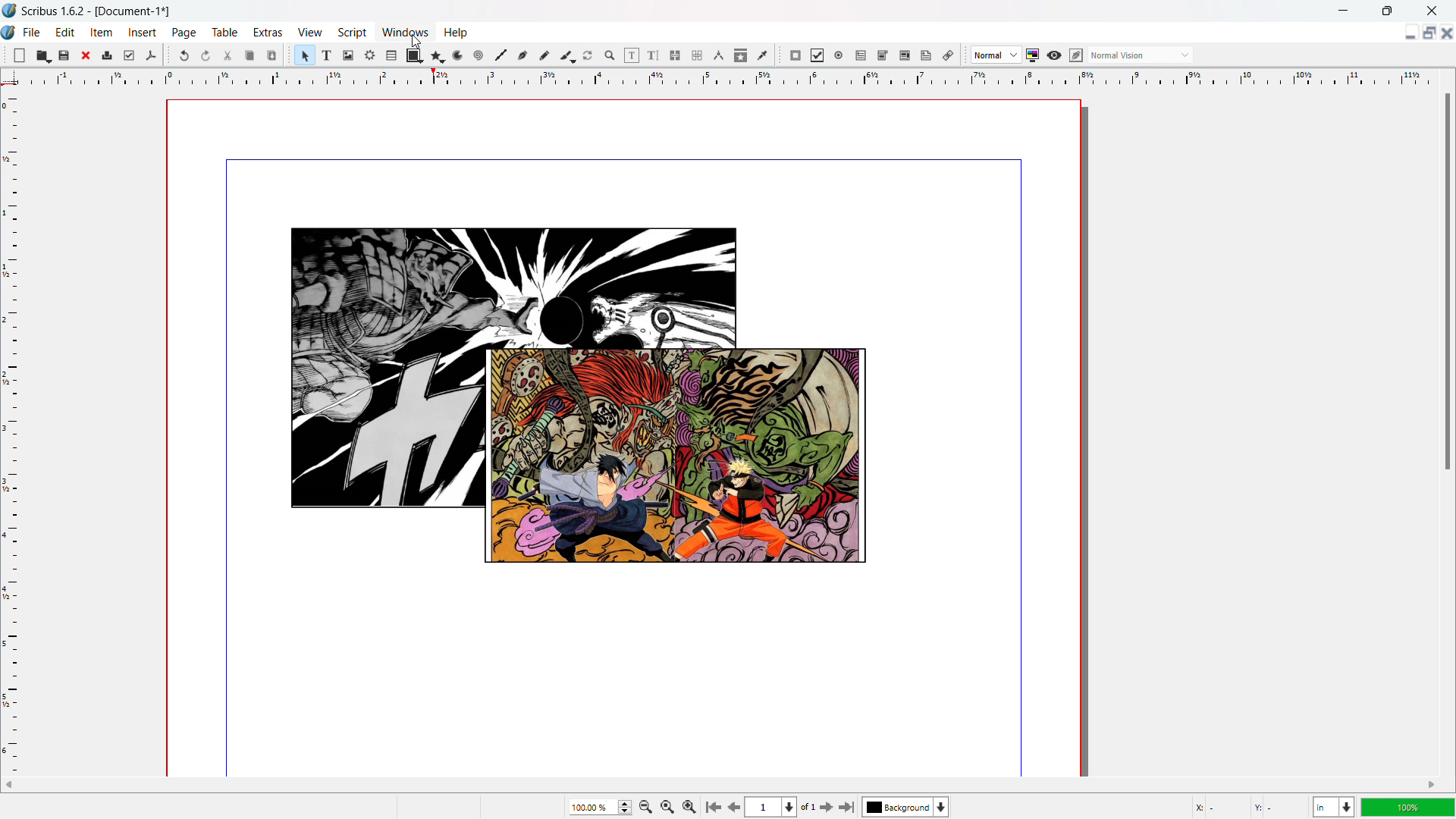 The height and width of the screenshot is (819, 1456). What do you see at coordinates (480, 55) in the screenshot?
I see `line` at bounding box center [480, 55].